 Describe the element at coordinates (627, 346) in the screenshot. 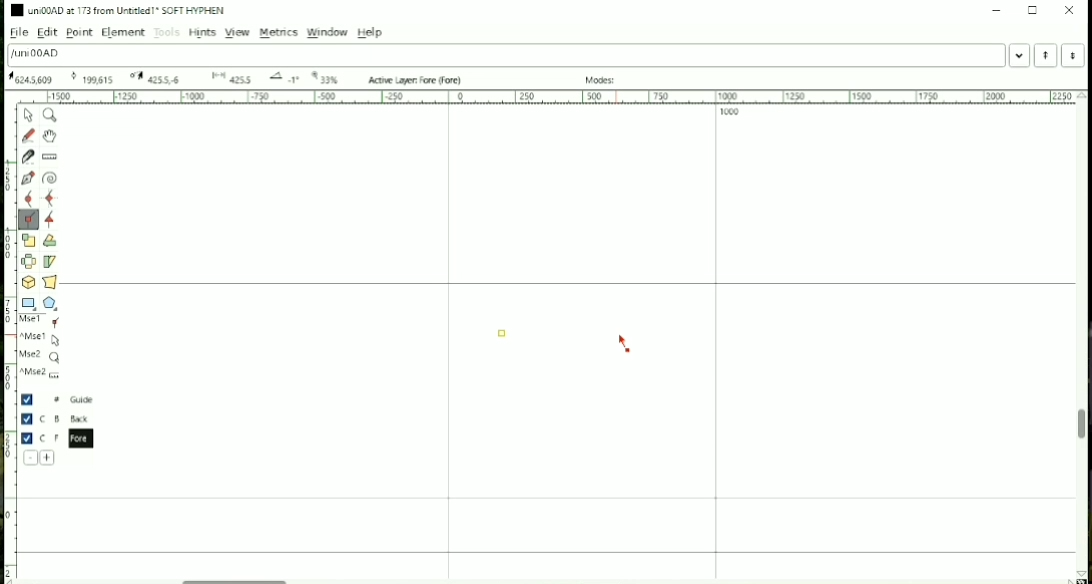

I see `Cursor` at that location.